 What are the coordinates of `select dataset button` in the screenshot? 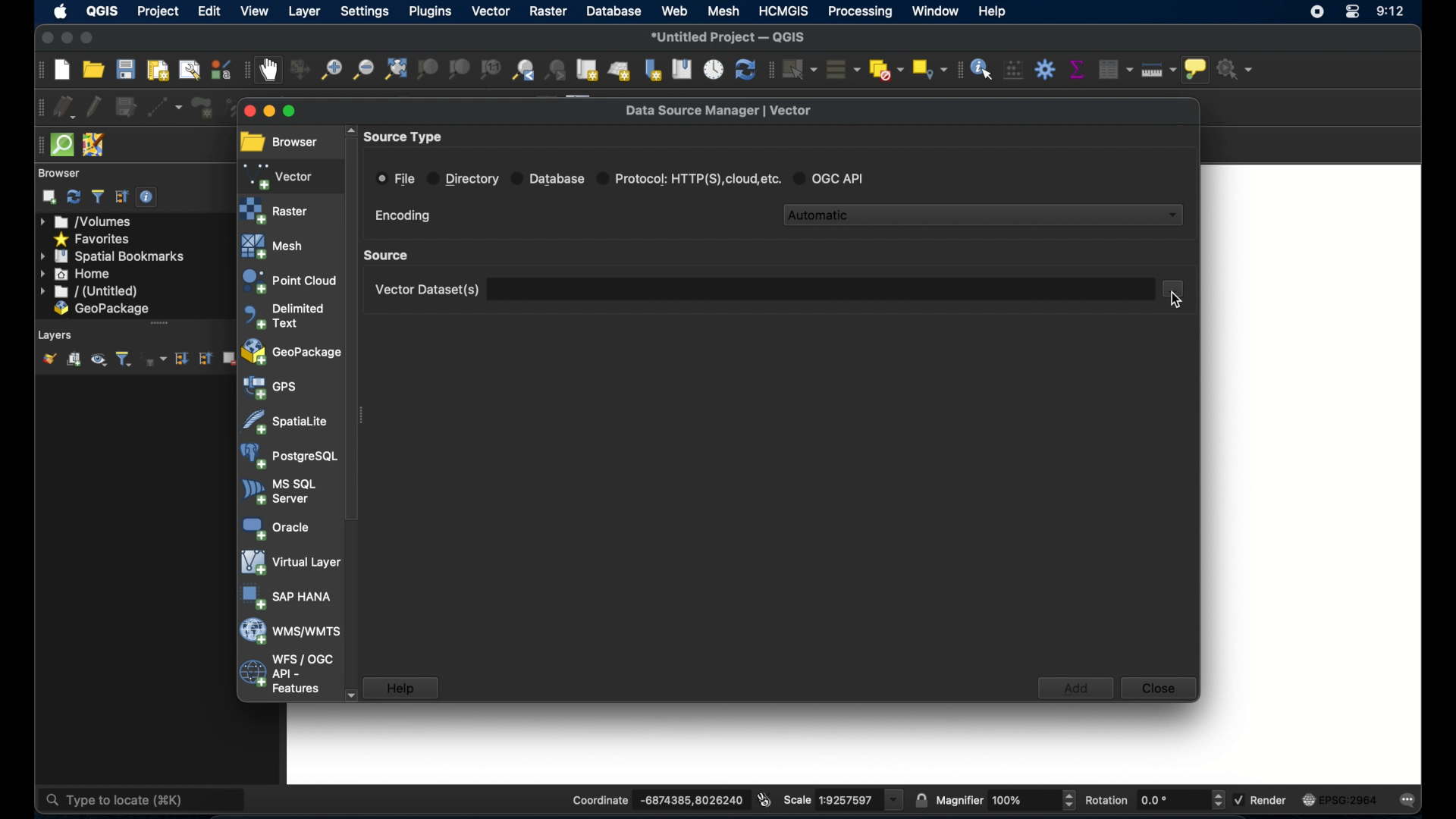 It's located at (1175, 289).